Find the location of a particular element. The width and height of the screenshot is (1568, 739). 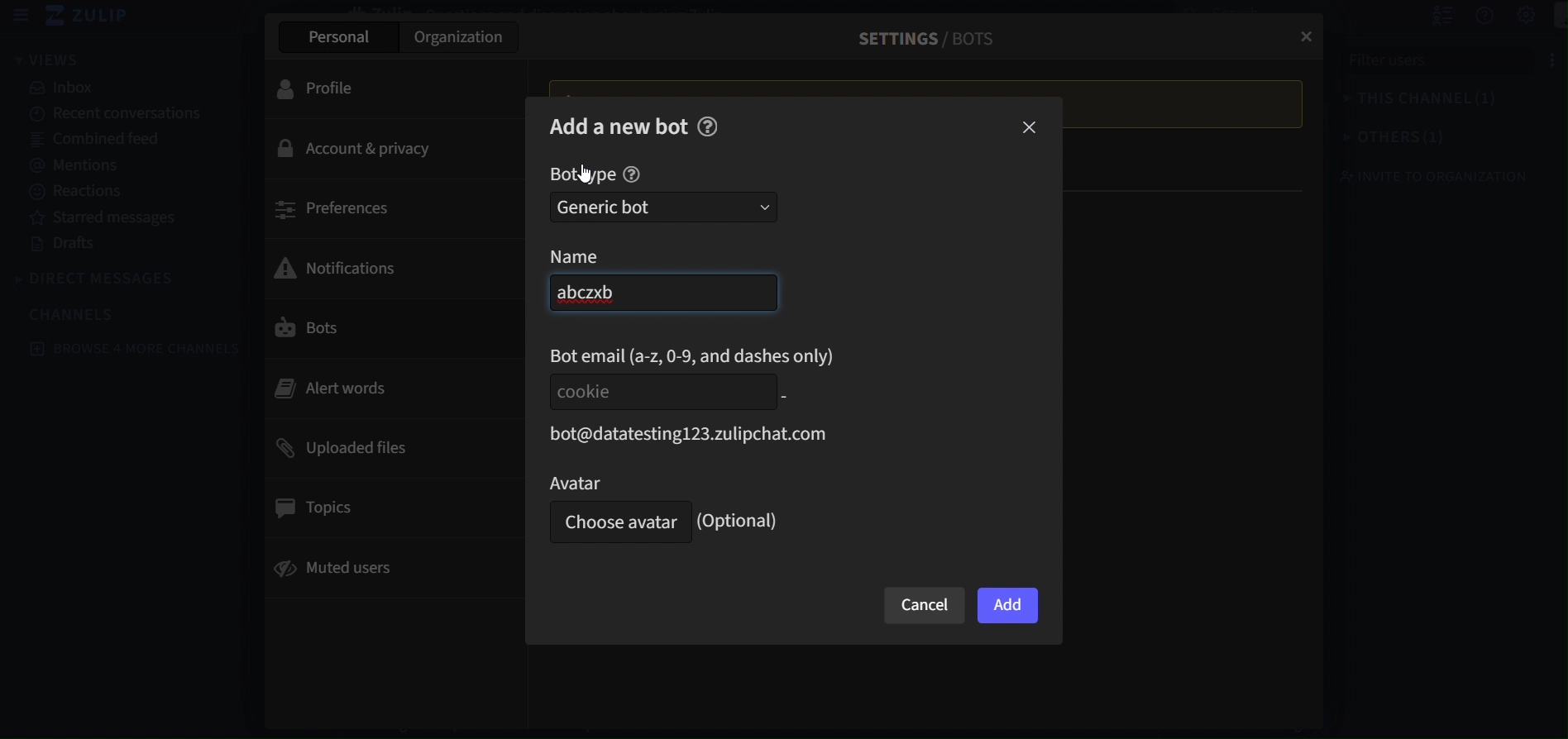

starred messages is located at coordinates (107, 216).